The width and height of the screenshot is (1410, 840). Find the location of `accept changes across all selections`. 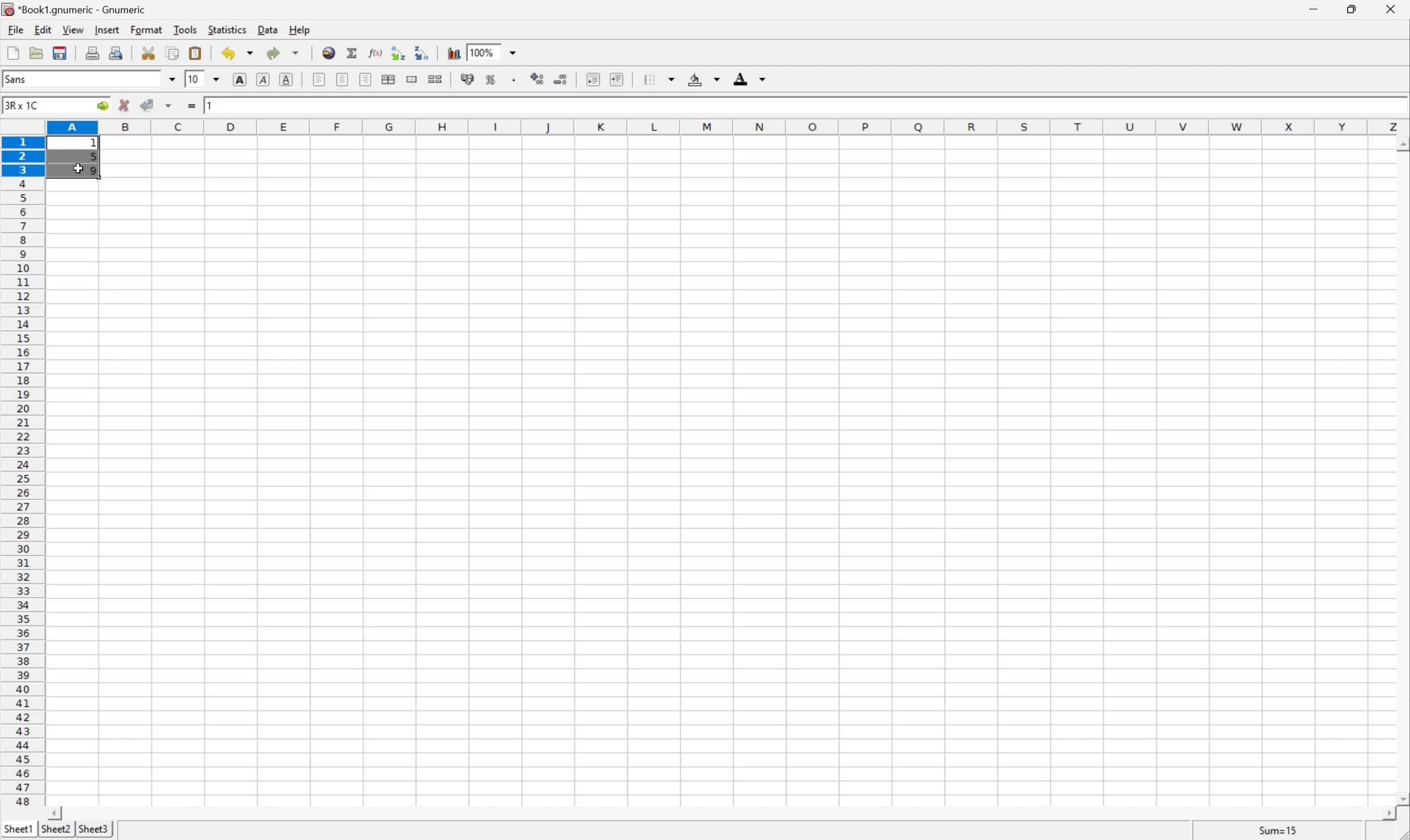

accept changes across all selections is located at coordinates (169, 106).